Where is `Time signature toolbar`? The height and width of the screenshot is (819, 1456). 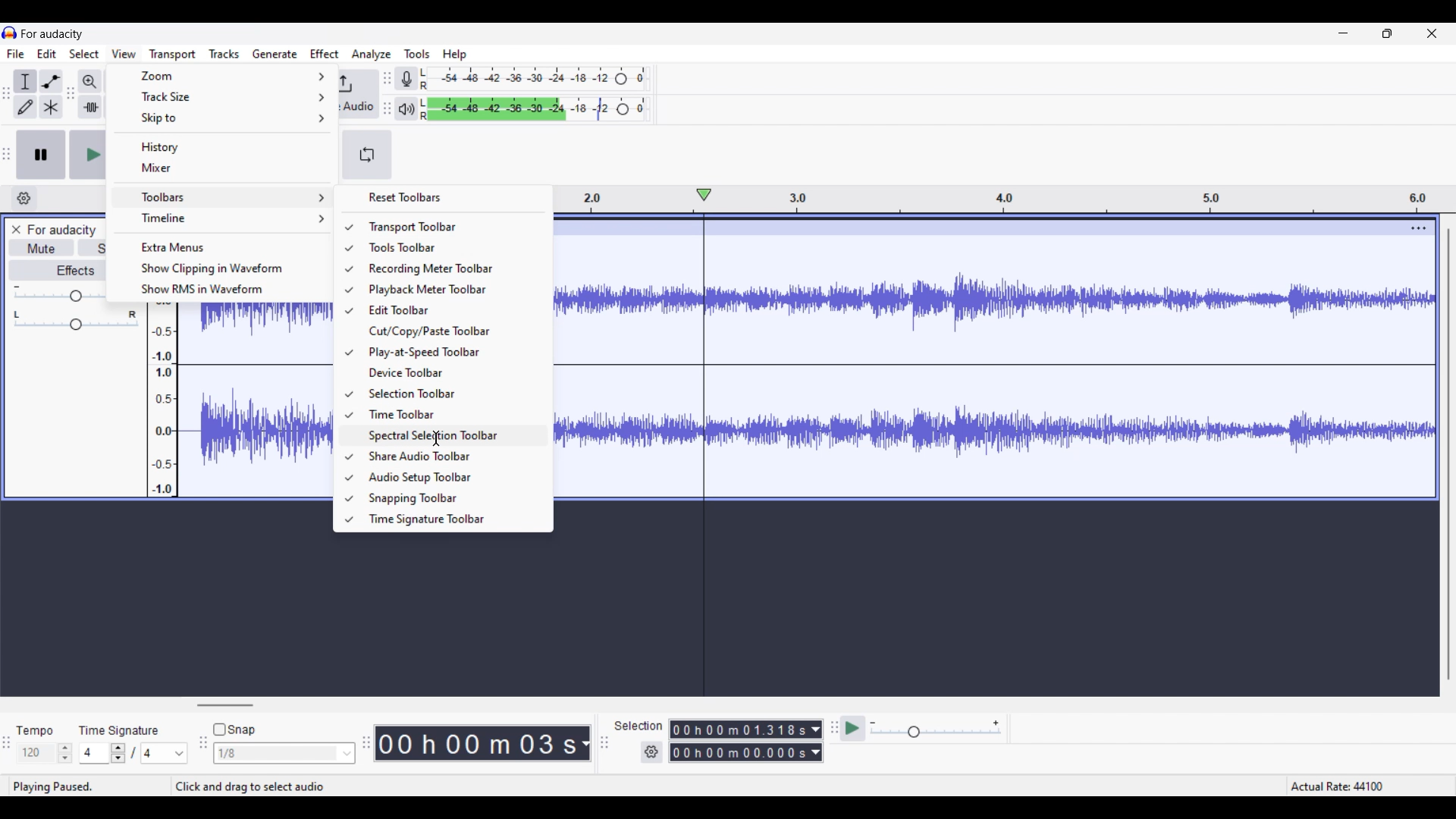 Time signature toolbar is located at coordinates (450, 519).